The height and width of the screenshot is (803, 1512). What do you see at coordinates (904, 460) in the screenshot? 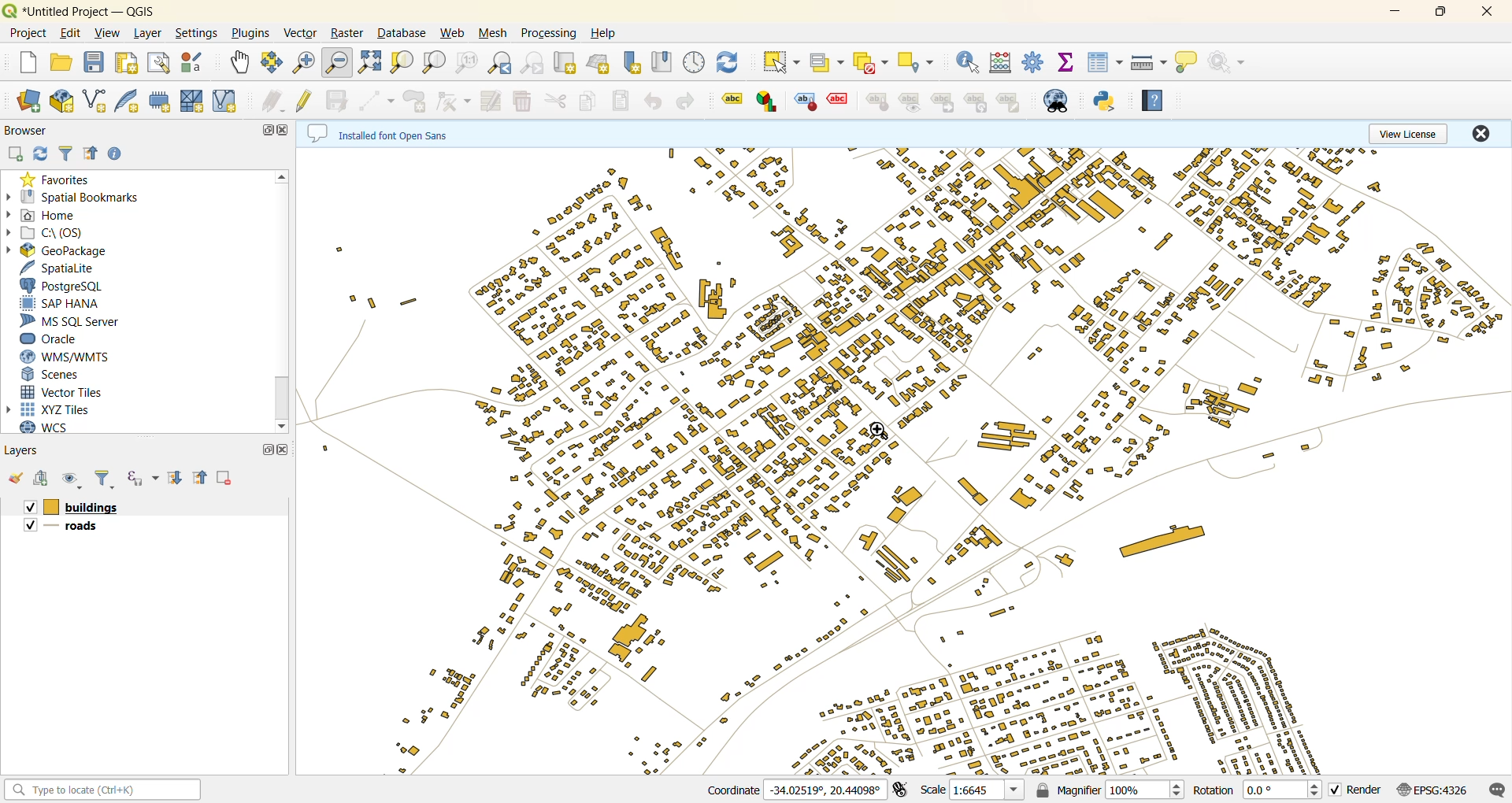
I see `layers` at bounding box center [904, 460].